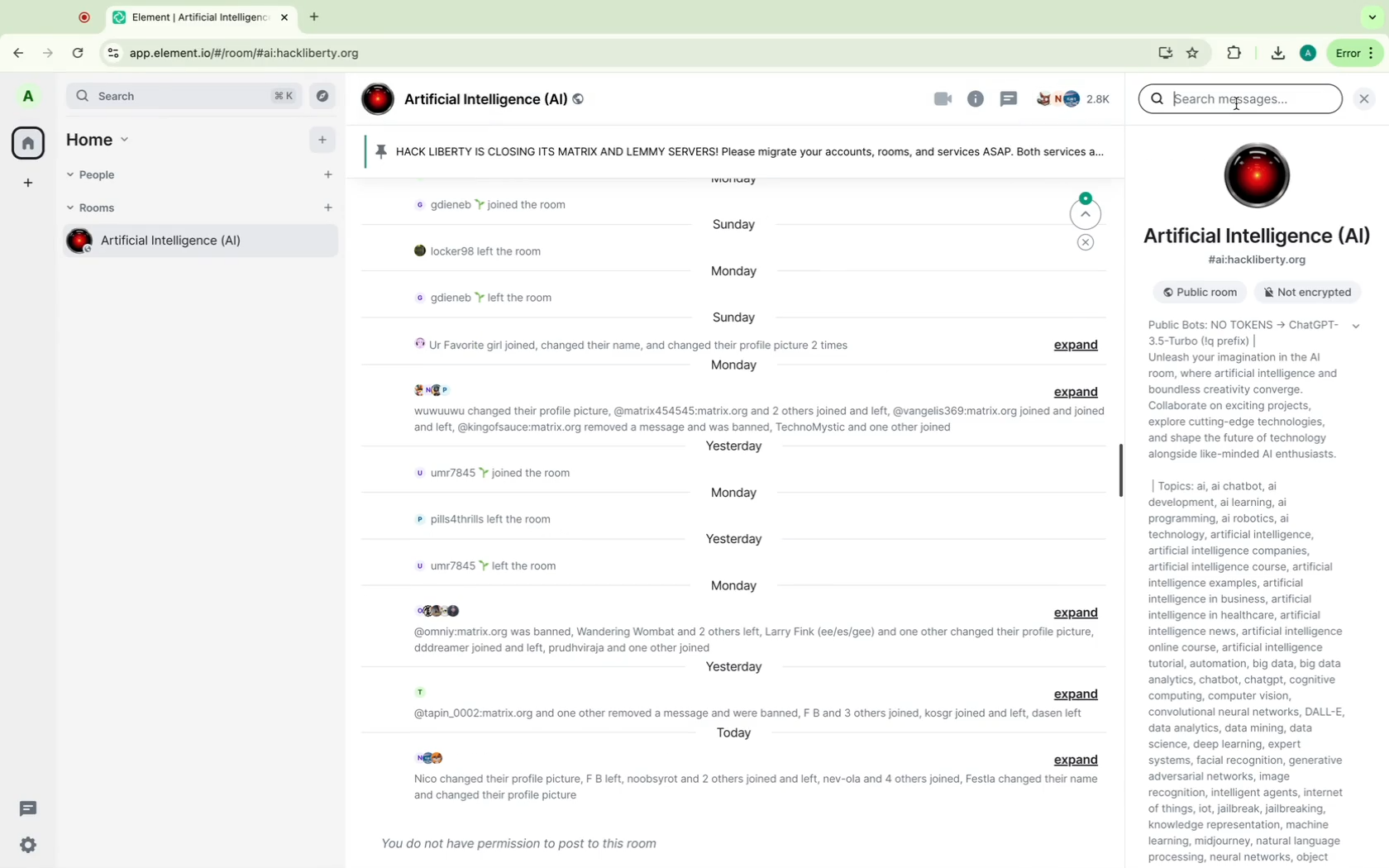  Describe the element at coordinates (204, 16) in the screenshot. I see `tab` at that location.